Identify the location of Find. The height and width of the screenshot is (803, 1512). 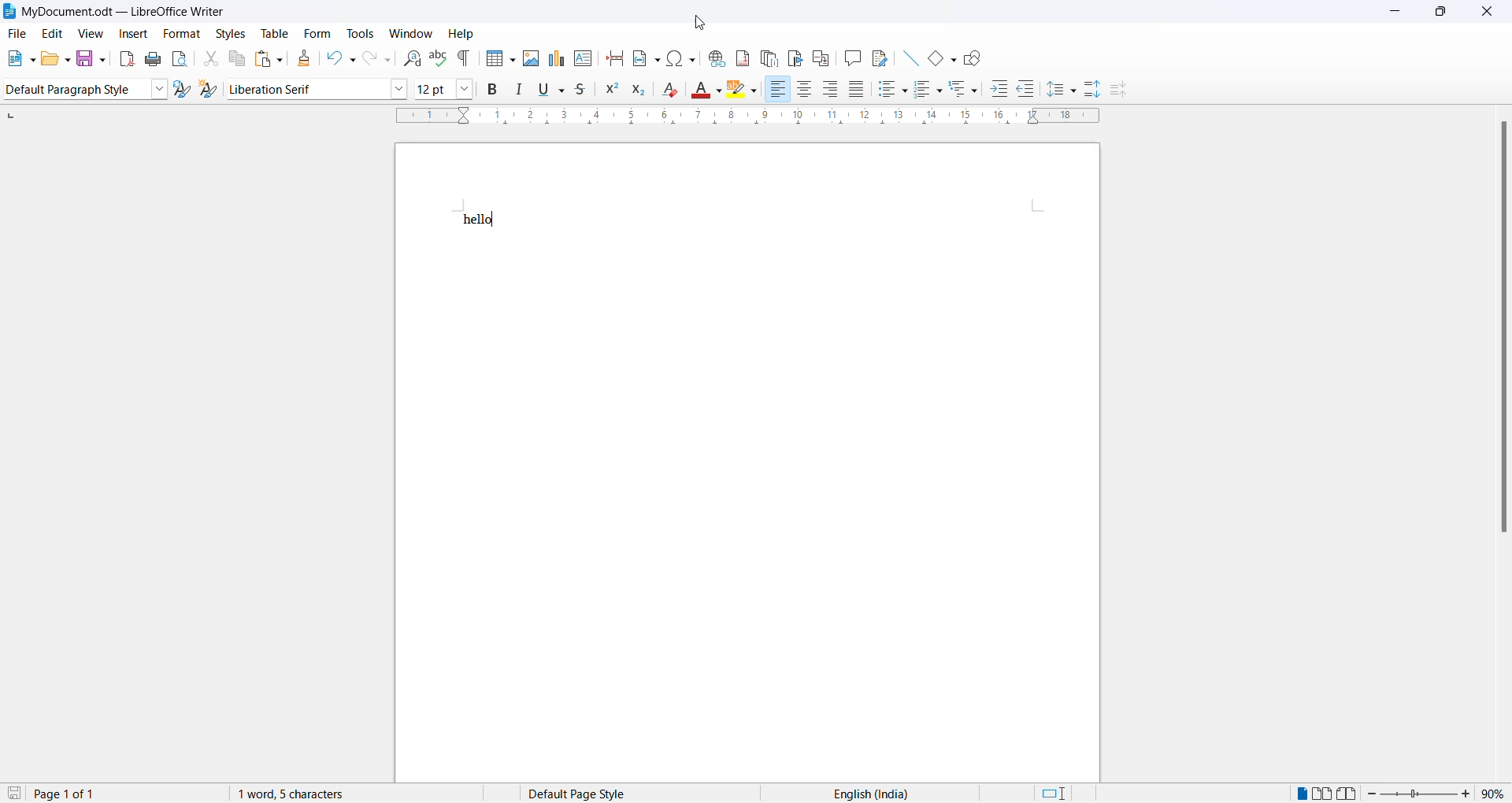
(408, 60).